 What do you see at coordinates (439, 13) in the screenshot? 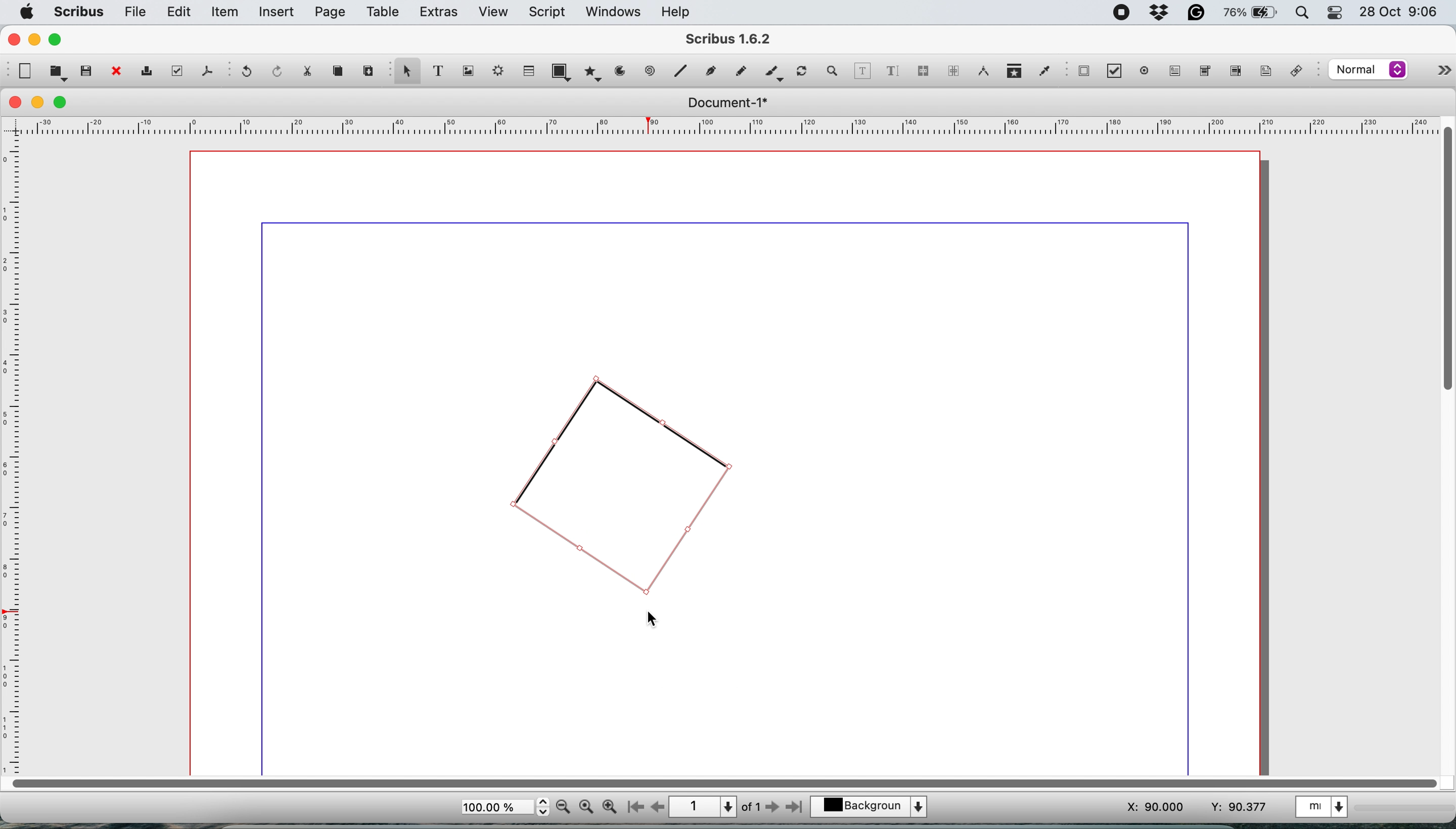
I see `extras` at bounding box center [439, 13].